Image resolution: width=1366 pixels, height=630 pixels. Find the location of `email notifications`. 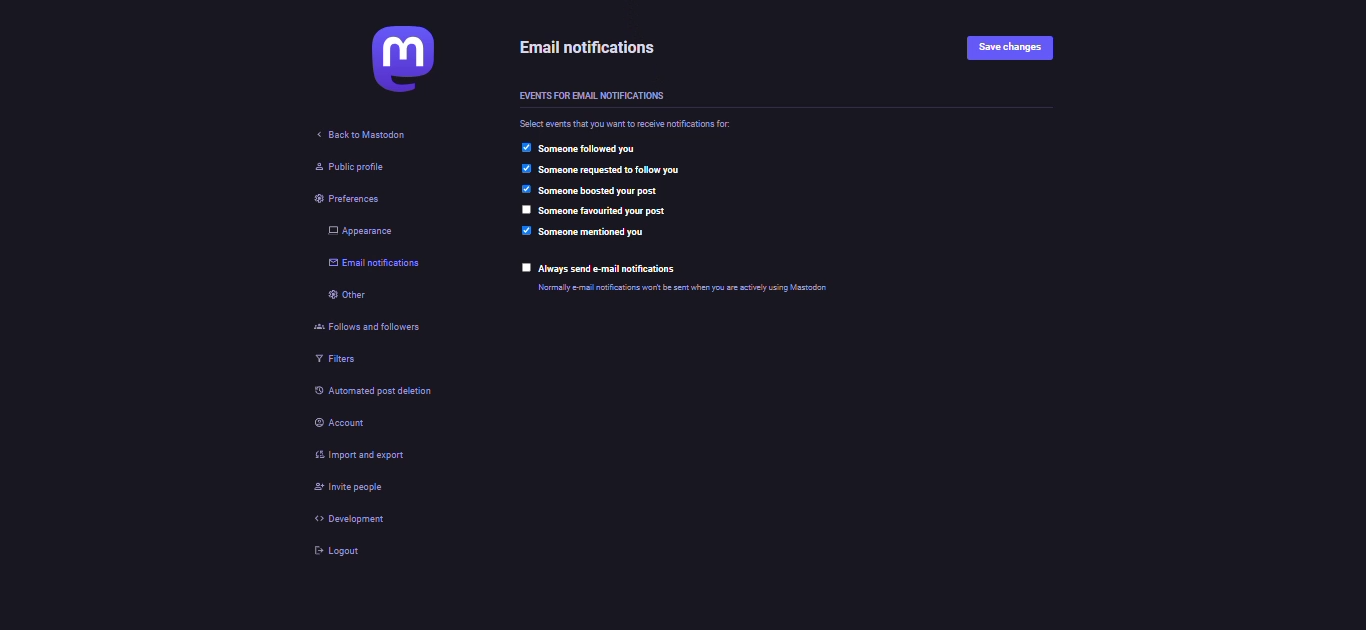

email notifications is located at coordinates (369, 265).